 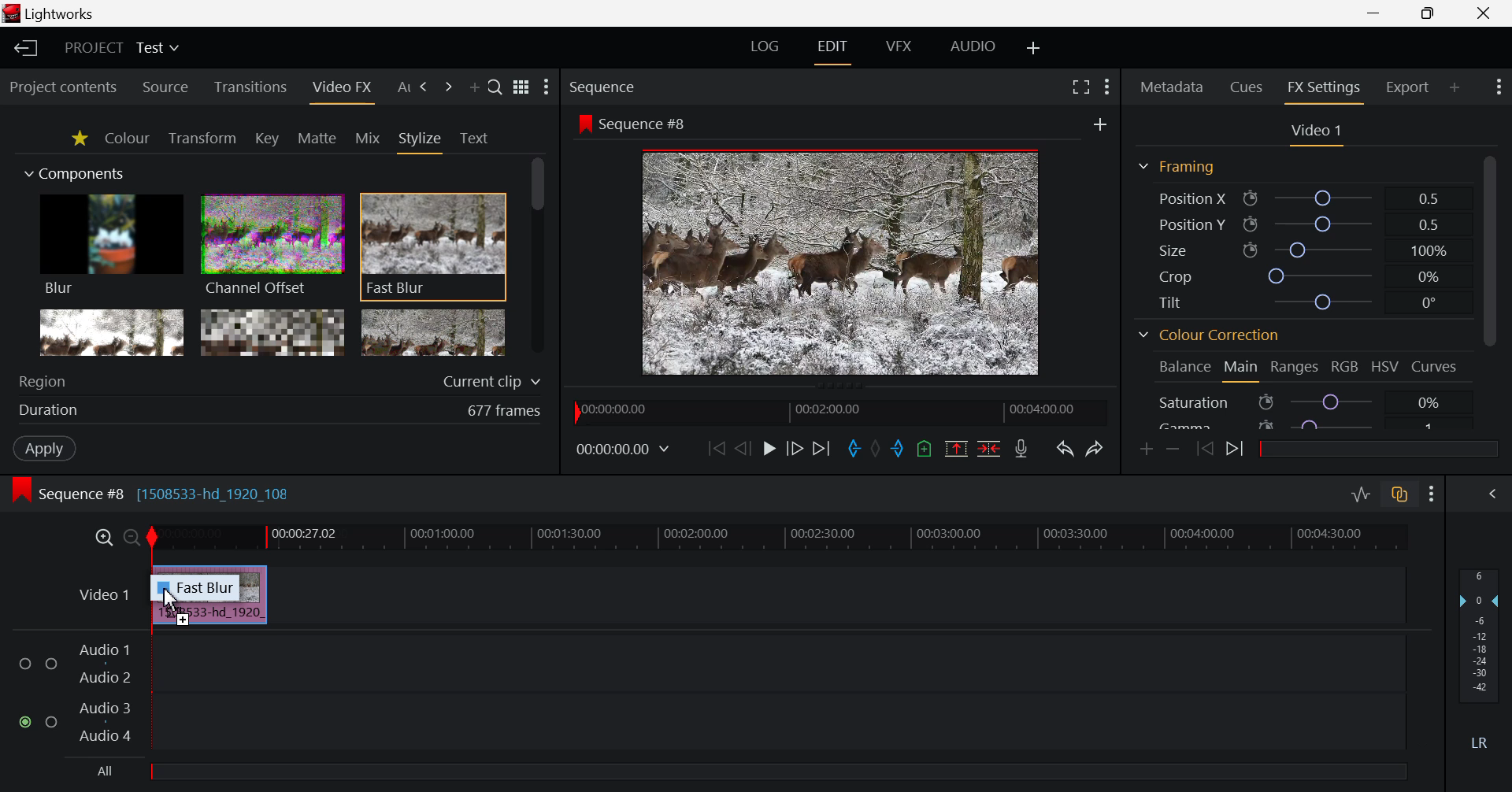 I want to click on To the Start, so click(x=715, y=450).